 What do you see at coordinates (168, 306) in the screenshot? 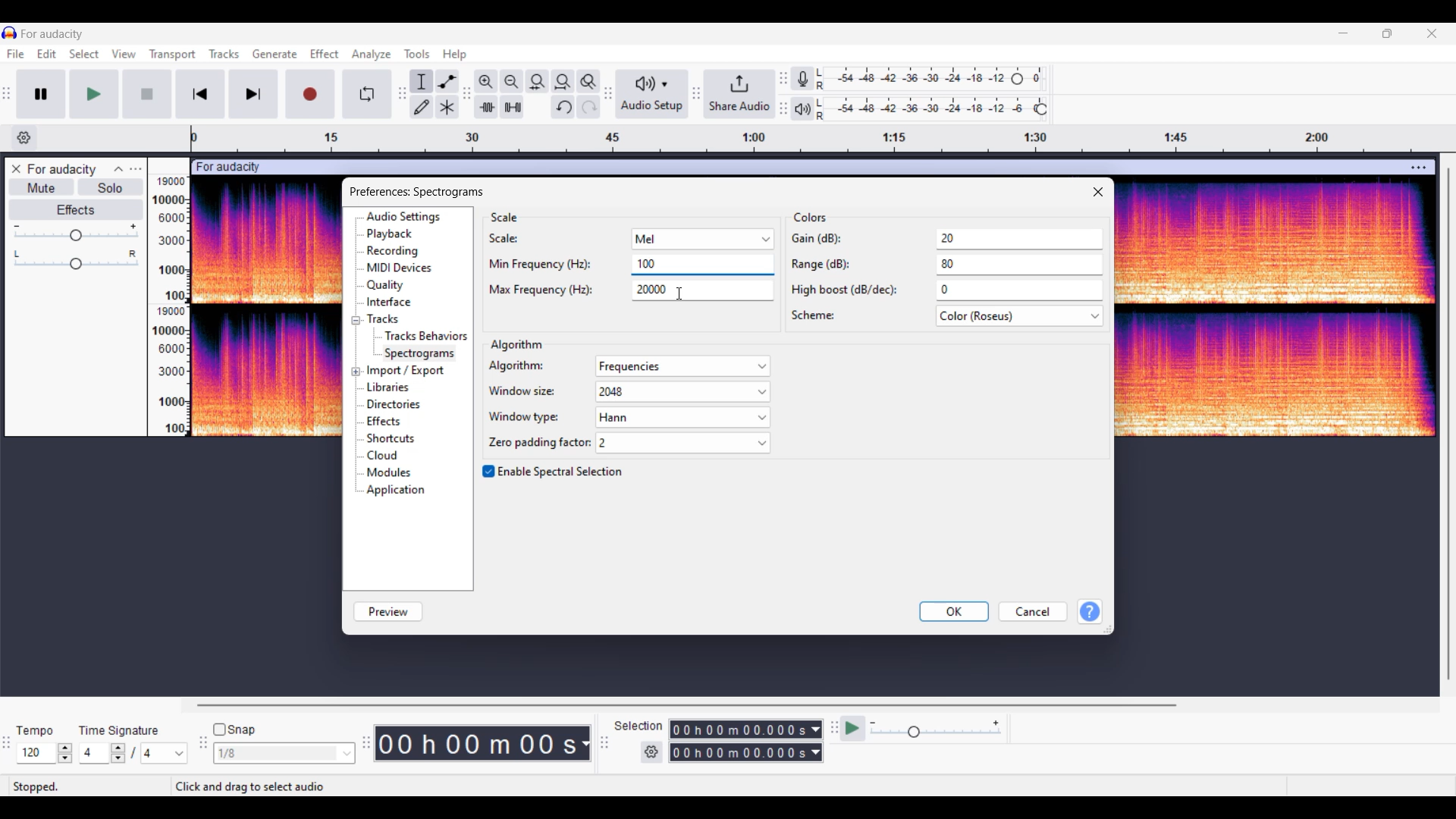
I see `Scale to measure intensity of track` at bounding box center [168, 306].